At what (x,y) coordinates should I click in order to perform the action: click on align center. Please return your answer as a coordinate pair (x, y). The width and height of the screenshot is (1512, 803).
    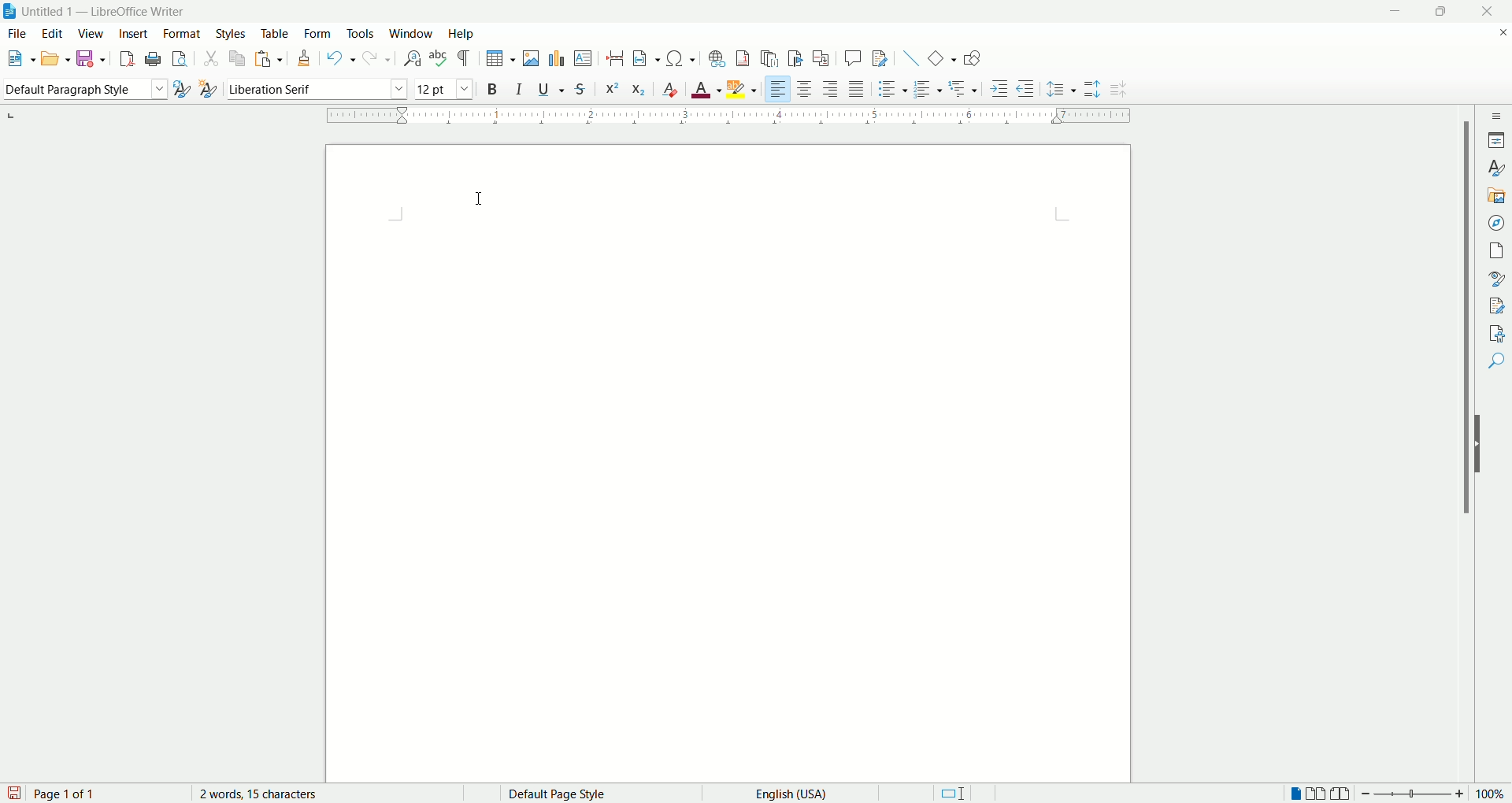
    Looking at the image, I should click on (802, 89).